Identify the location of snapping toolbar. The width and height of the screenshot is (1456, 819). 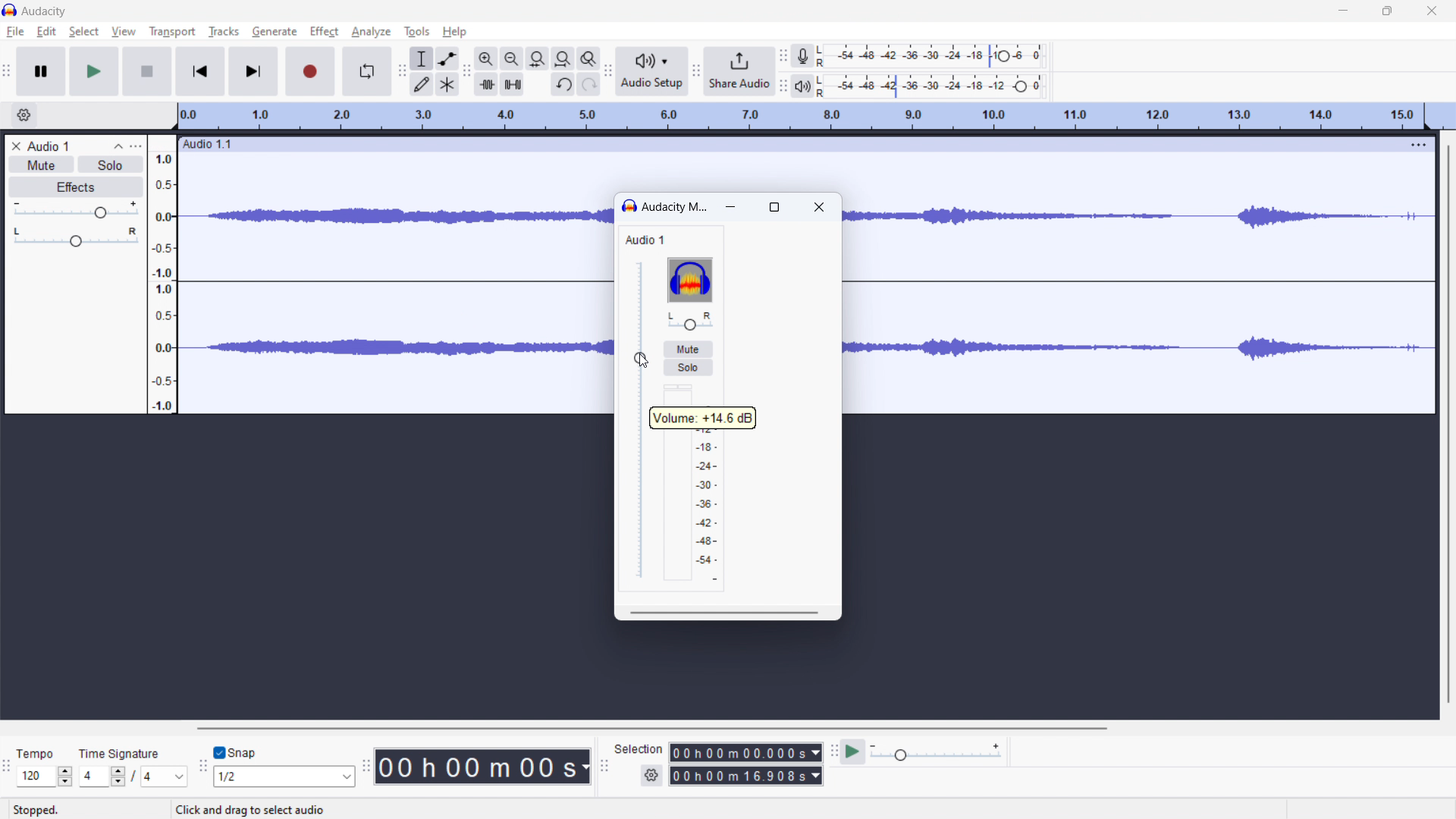
(202, 764).